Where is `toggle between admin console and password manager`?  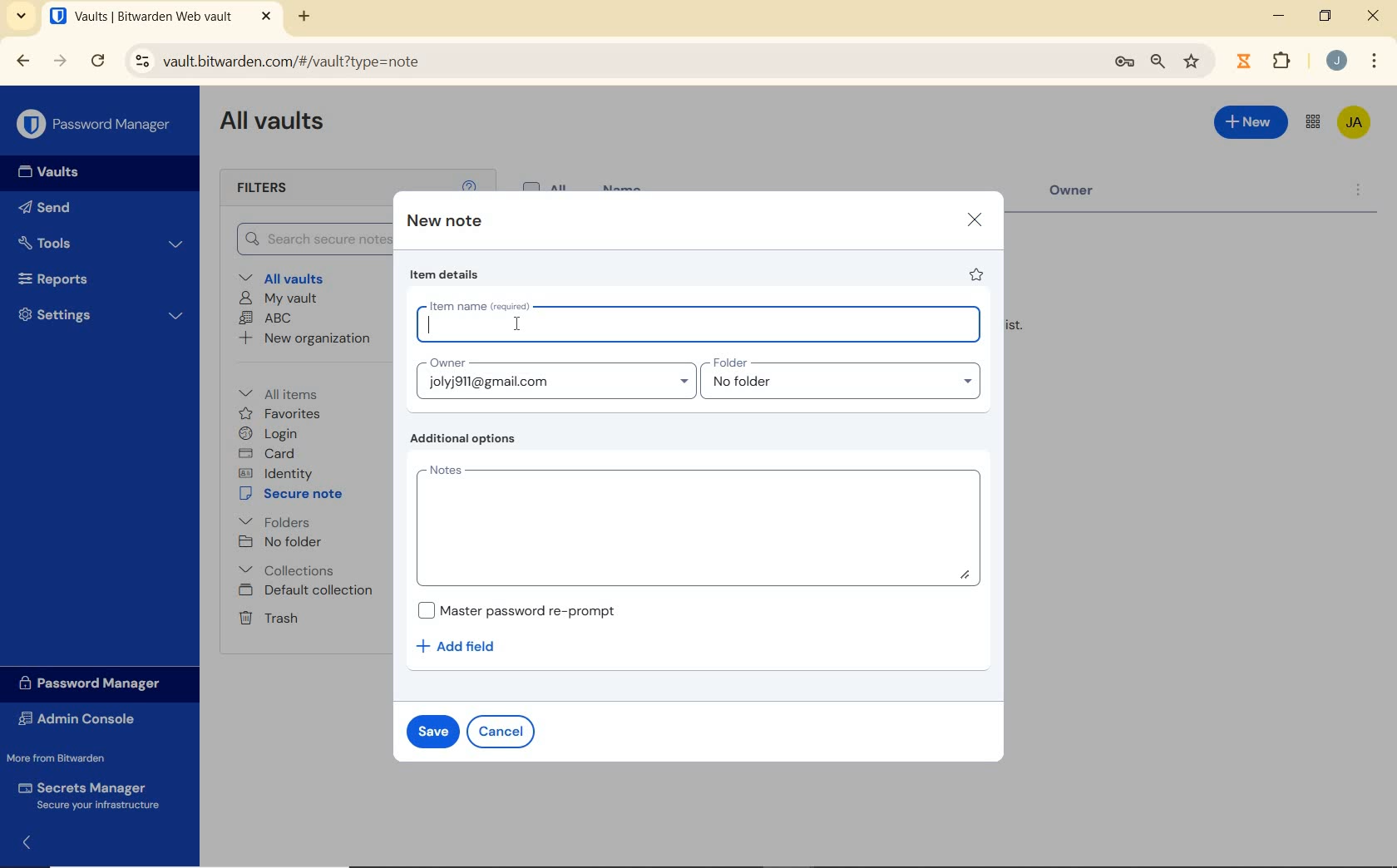 toggle between admin console and password manager is located at coordinates (1313, 123).